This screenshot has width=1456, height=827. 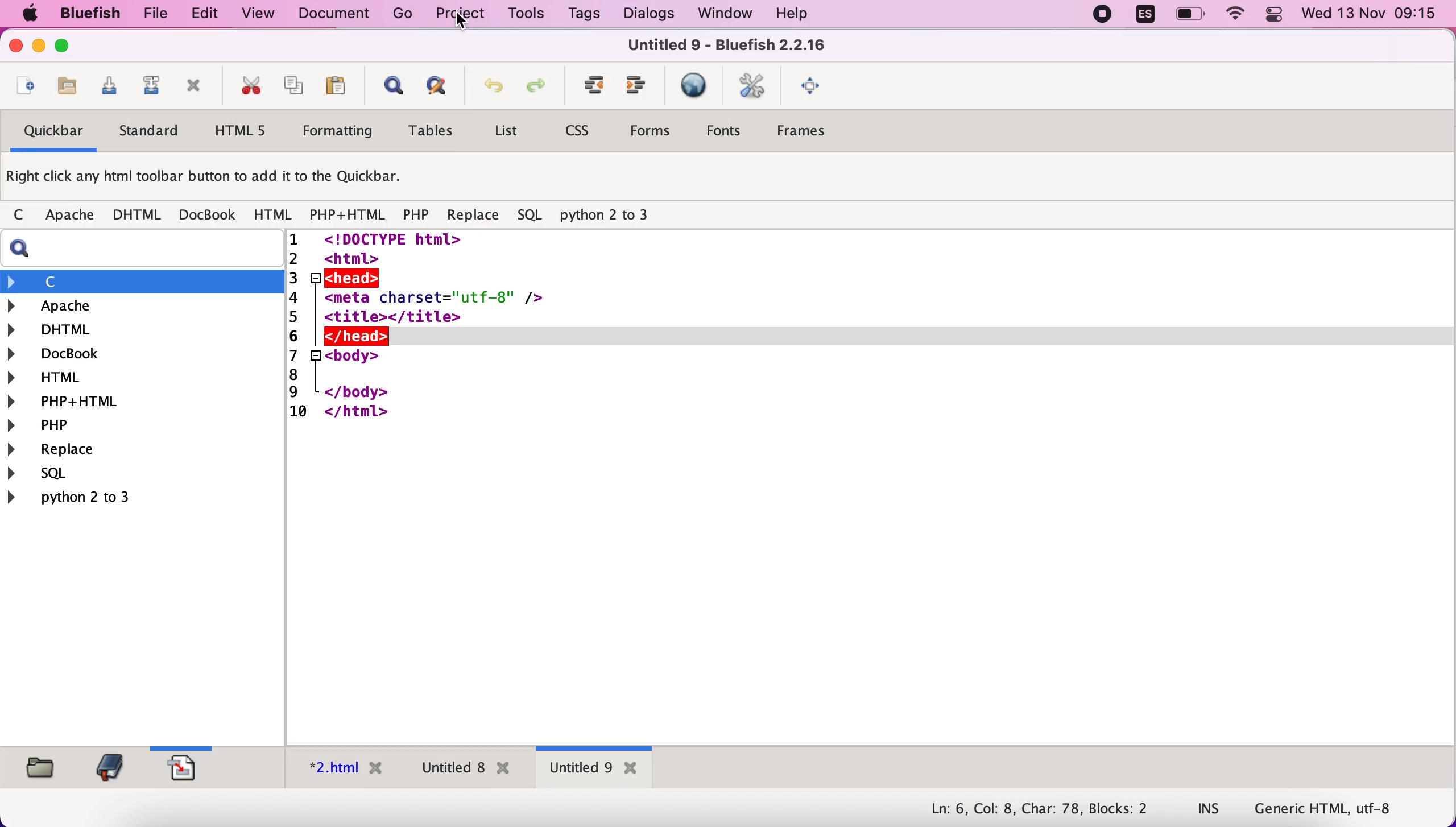 What do you see at coordinates (535, 90) in the screenshot?
I see `redo` at bounding box center [535, 90].